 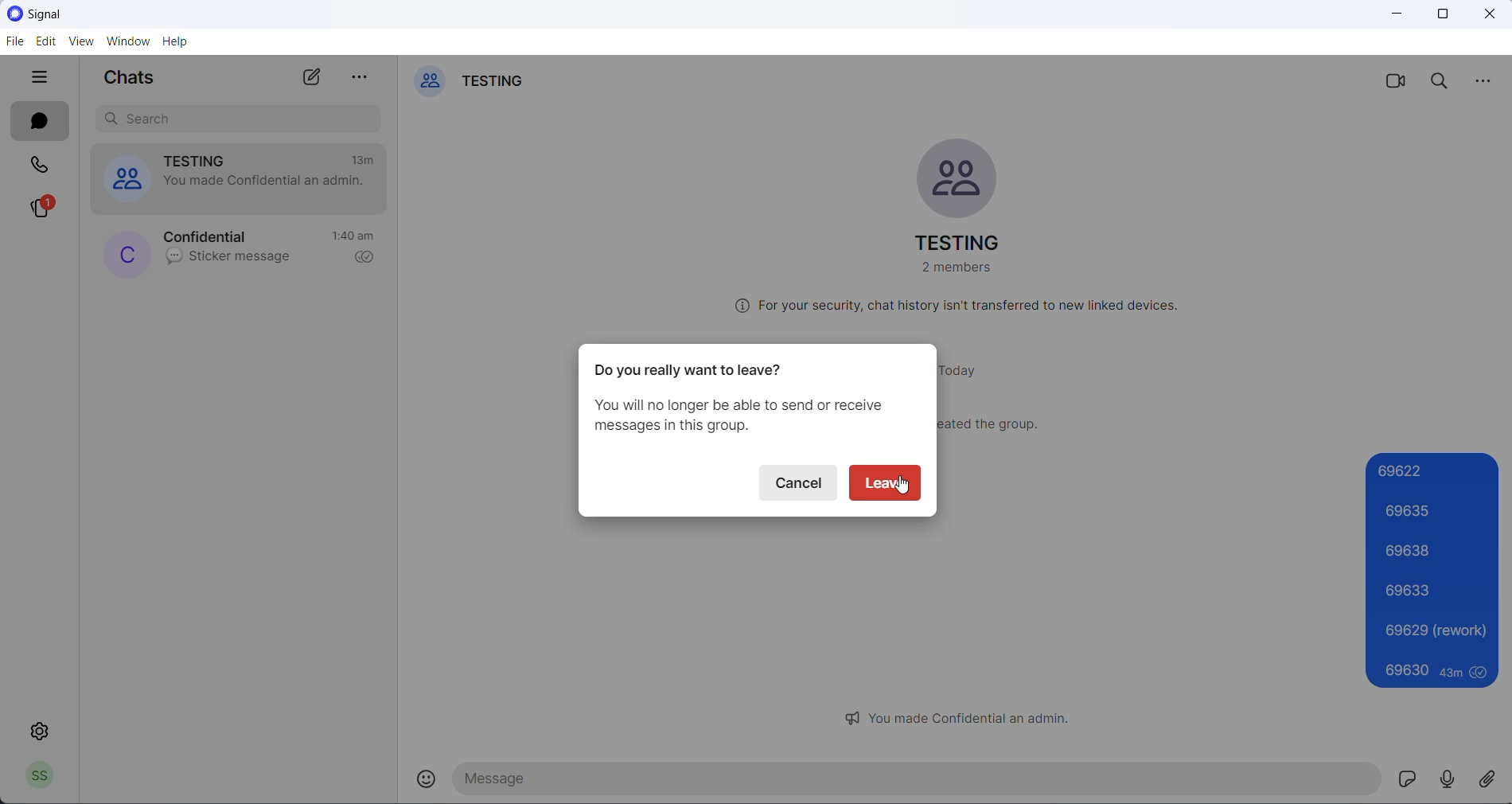 What do you see at coordinates (265, 186) in the screenshot?
I see `admin change notification` at bounding box center [265, 186].